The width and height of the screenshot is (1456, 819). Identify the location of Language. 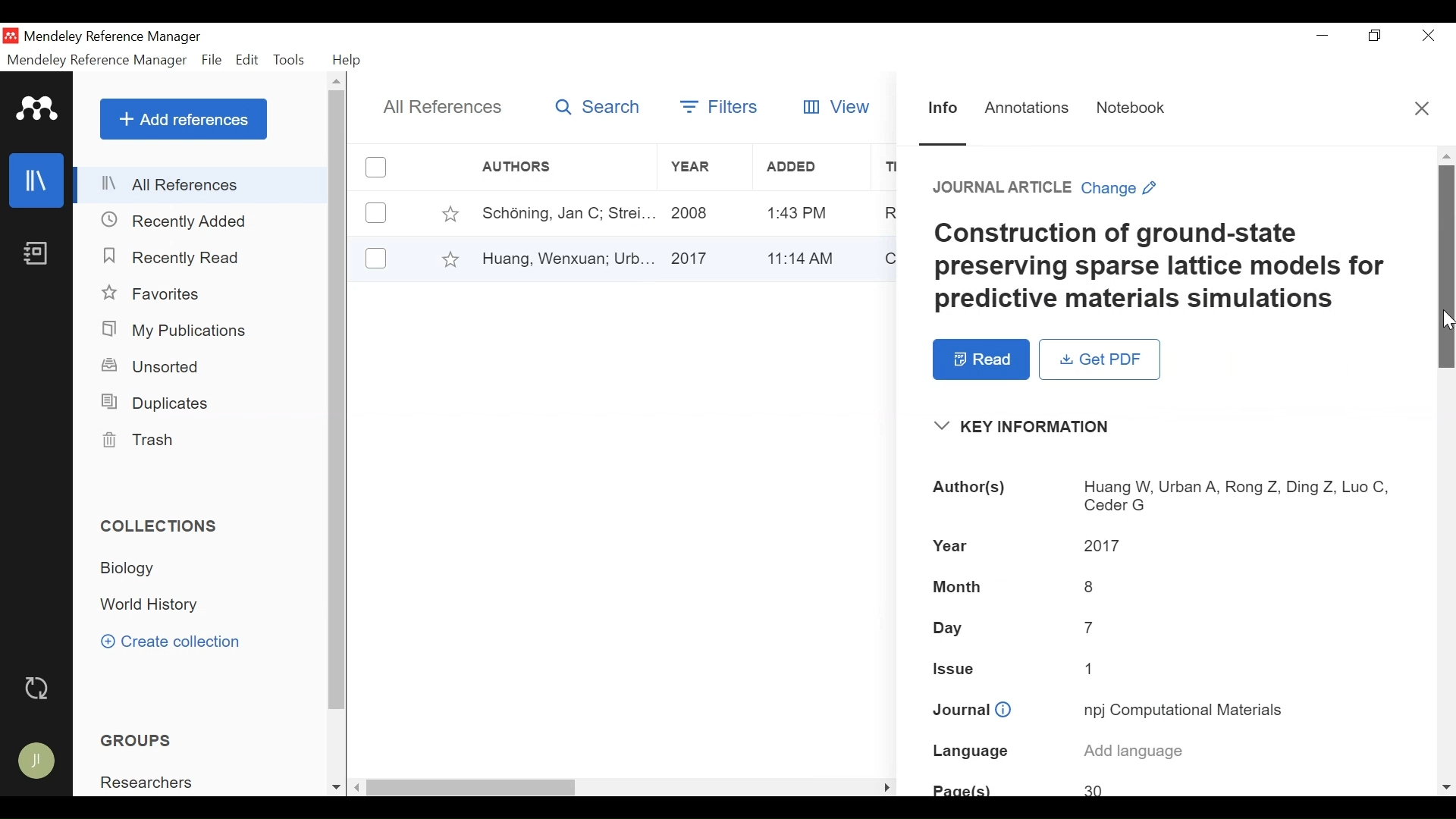
(1172, 753).